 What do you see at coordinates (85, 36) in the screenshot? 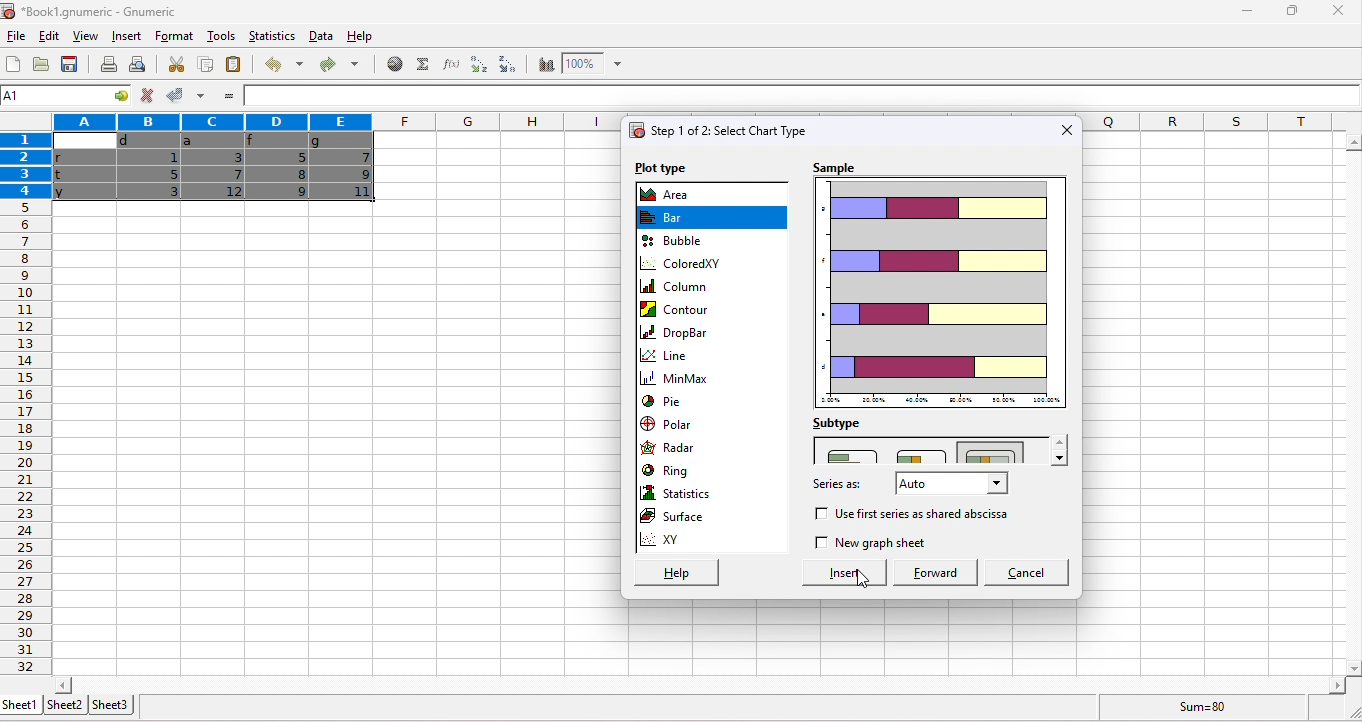
I see `view` at bounding box center [85, 36].